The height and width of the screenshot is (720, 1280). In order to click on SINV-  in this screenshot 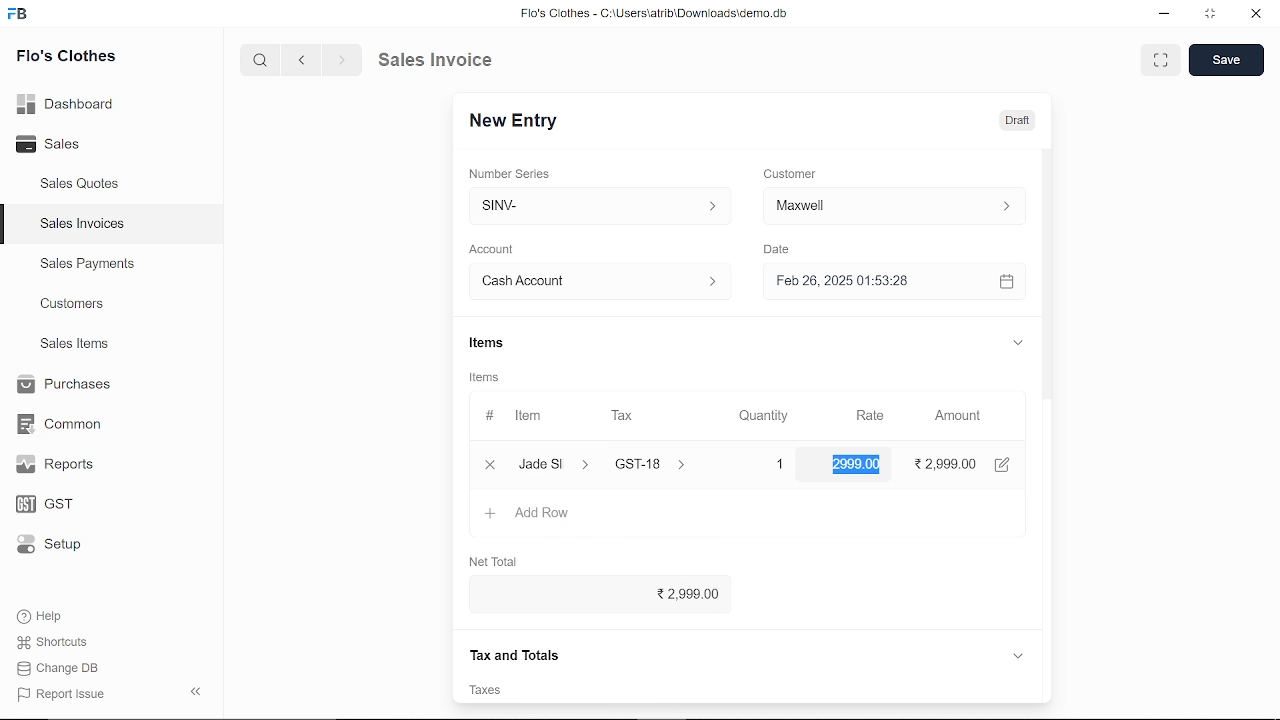, I will do `click(595, 206)`.